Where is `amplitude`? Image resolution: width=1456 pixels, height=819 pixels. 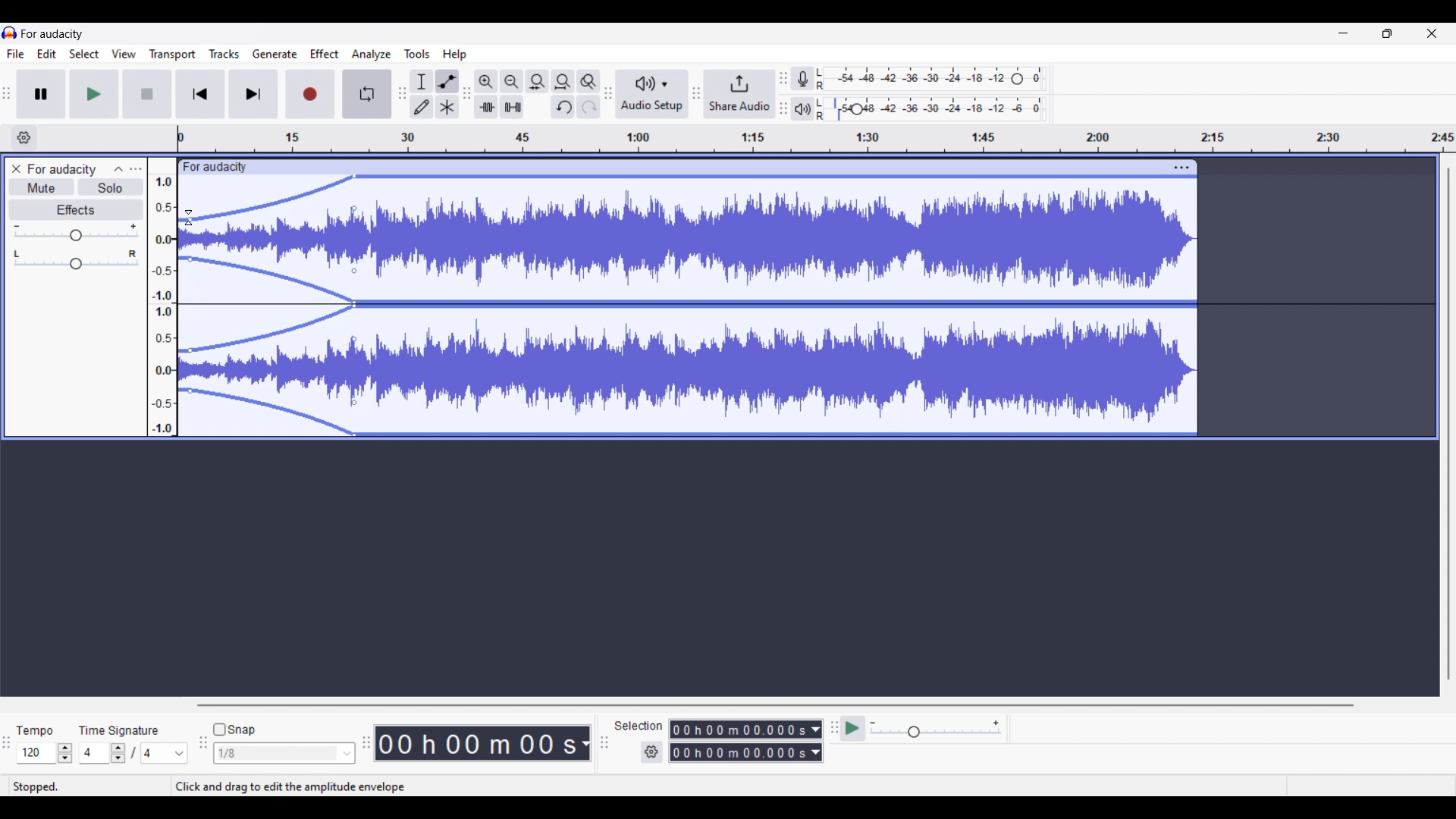 amplitude is located at coordinates (163, 305).